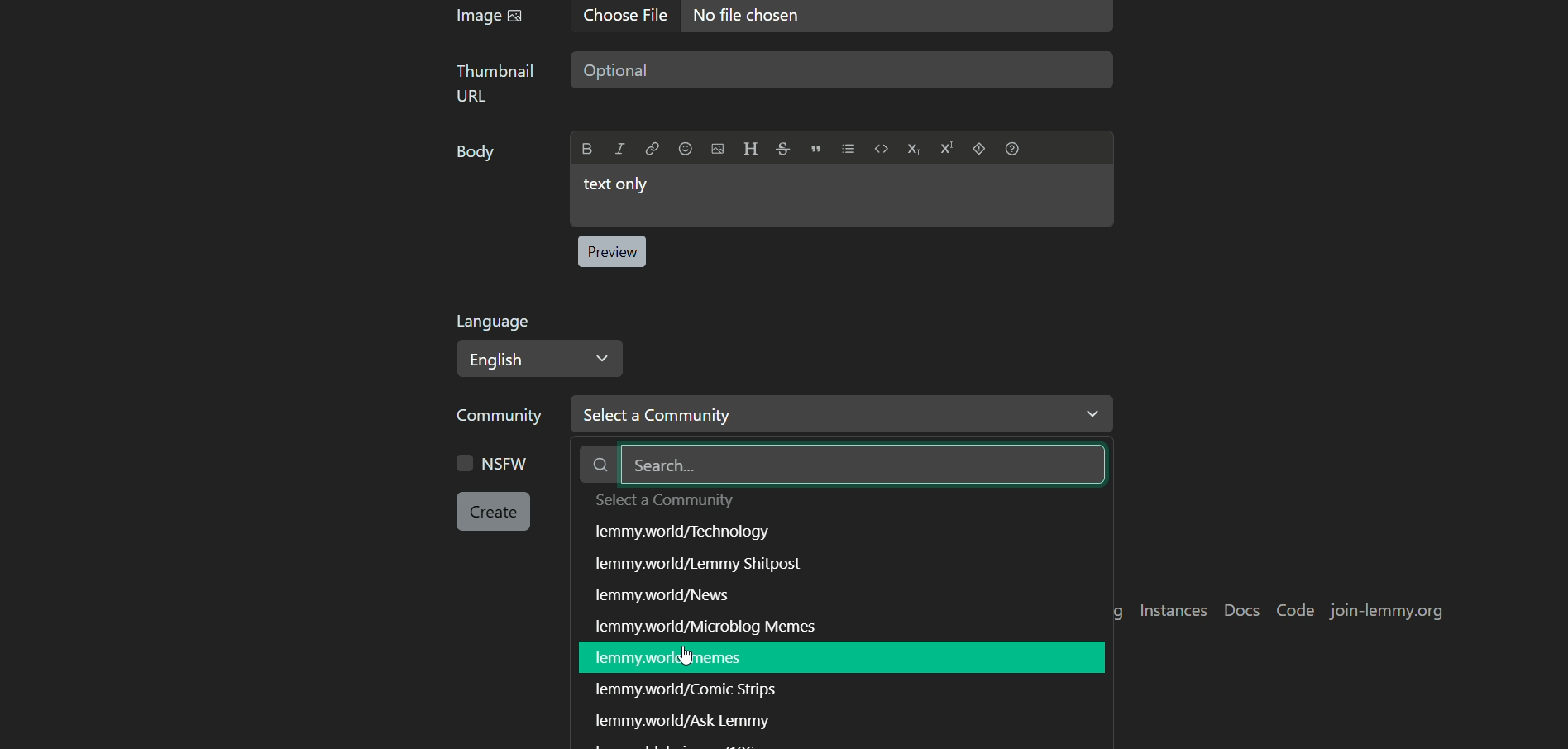 This screenshot has width=1568, height=749. What do you see at coordinates (751, 149) in the screenshot?
I see `Header` at bounding box center [751, 149].